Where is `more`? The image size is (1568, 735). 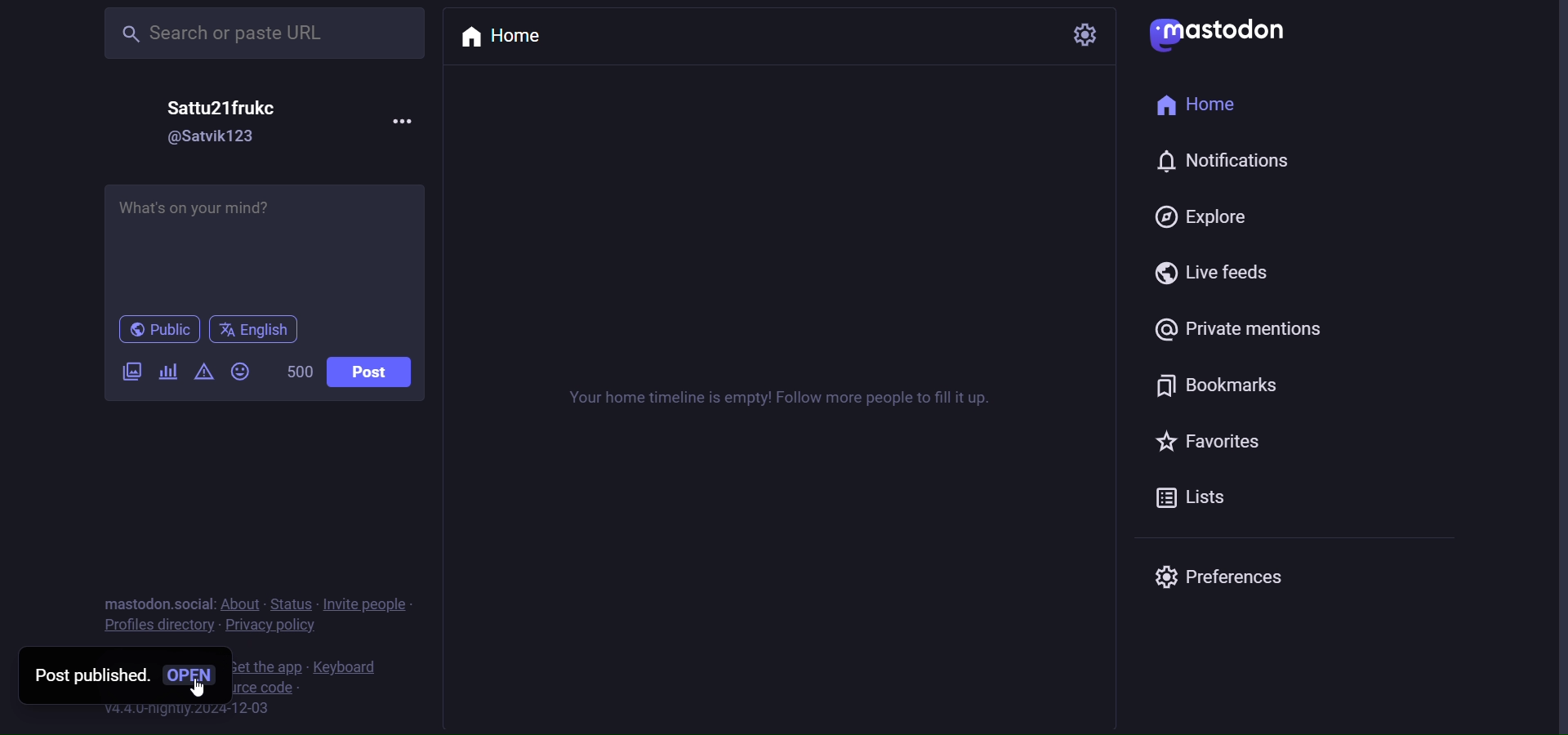 more is located at coordinates (411, 120).